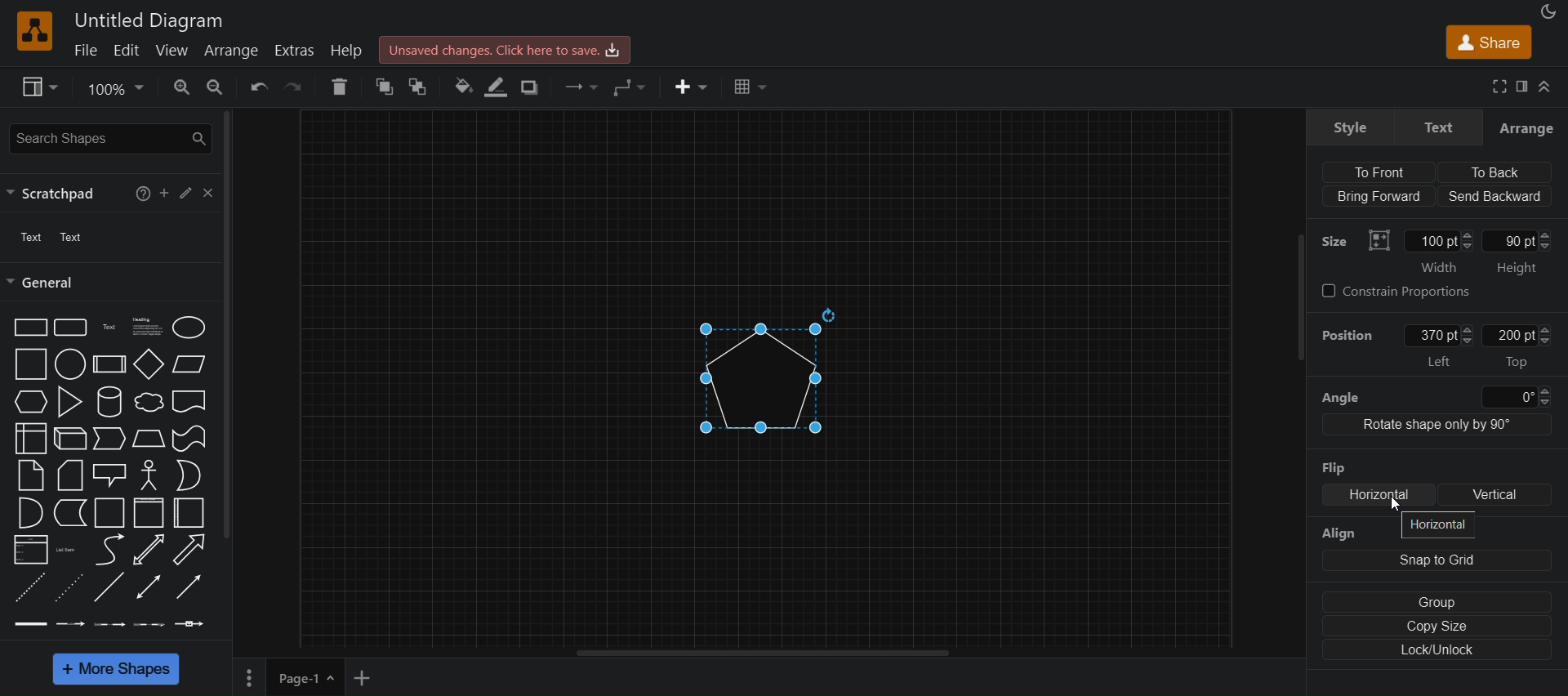  I want to click on vertical scroll bar, so click(1299, 327).